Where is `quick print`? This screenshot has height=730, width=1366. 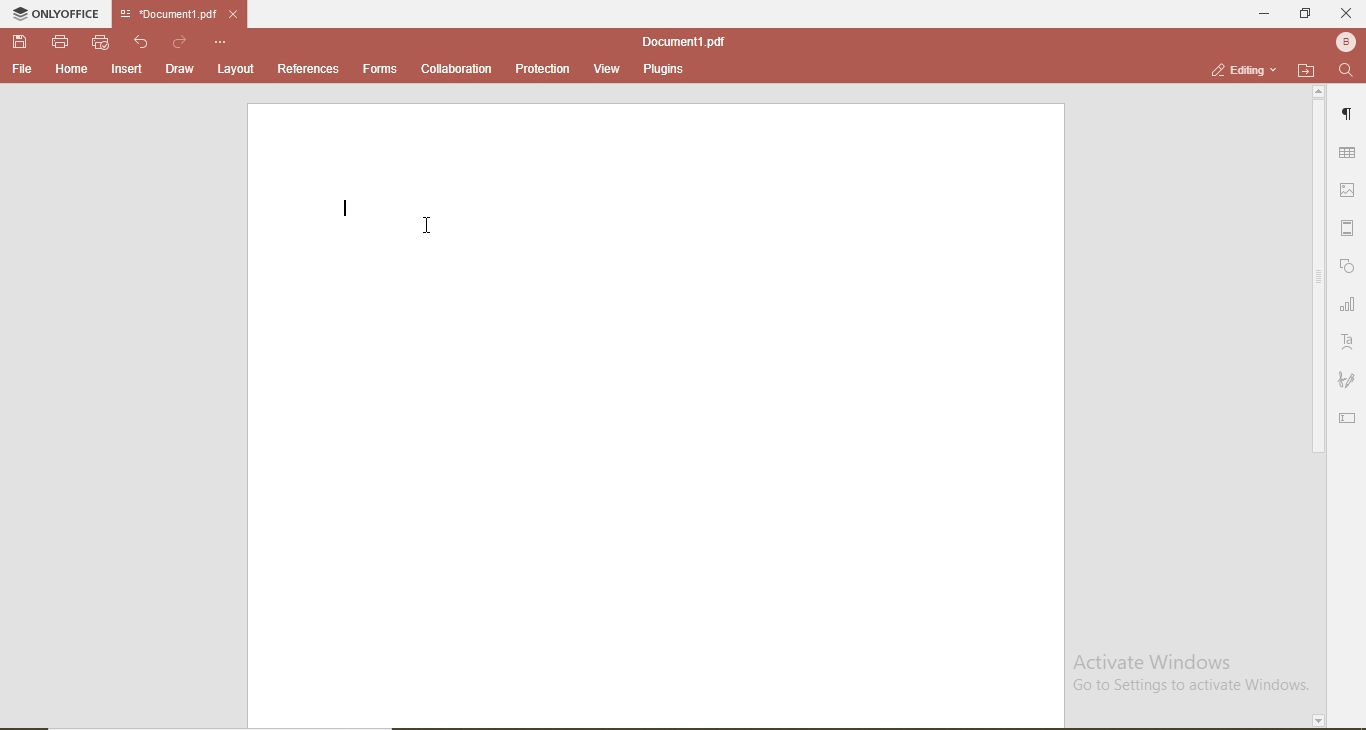 quick print is located at coordinates (101, 43).